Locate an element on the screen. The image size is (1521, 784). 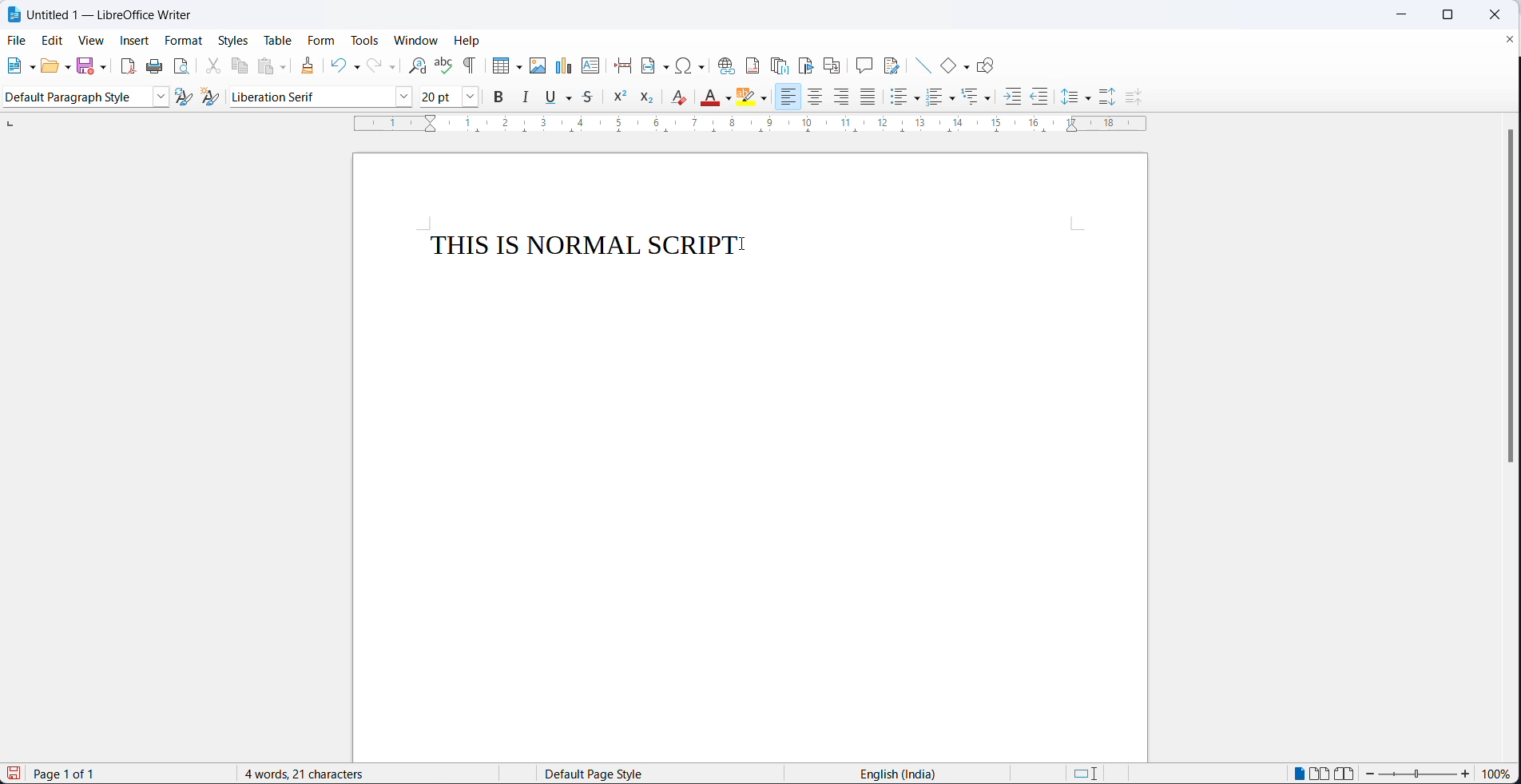
paste options is located at coordinates (288, 65).